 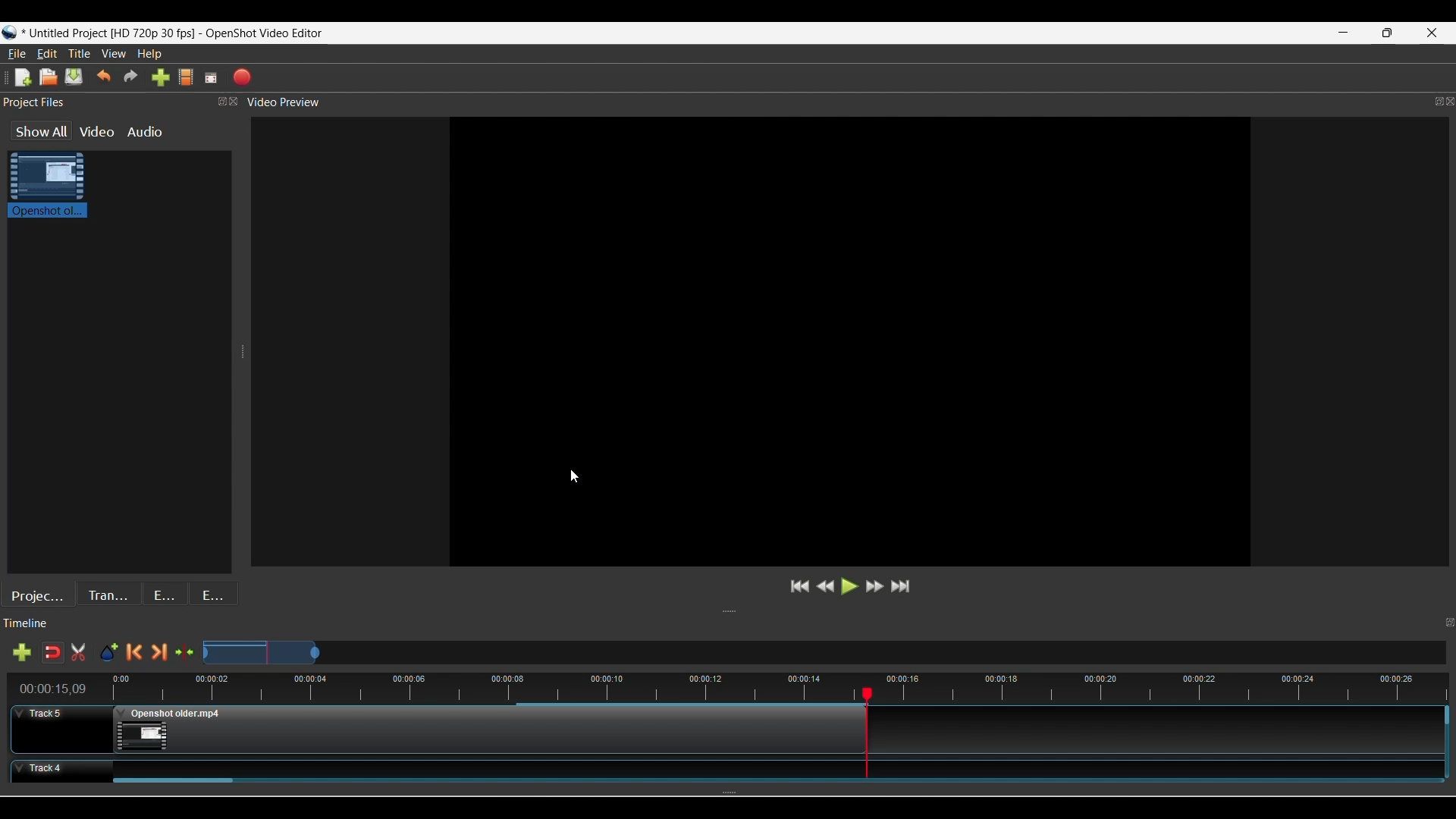 I want to click on Undo, so click(x=103, y=77).